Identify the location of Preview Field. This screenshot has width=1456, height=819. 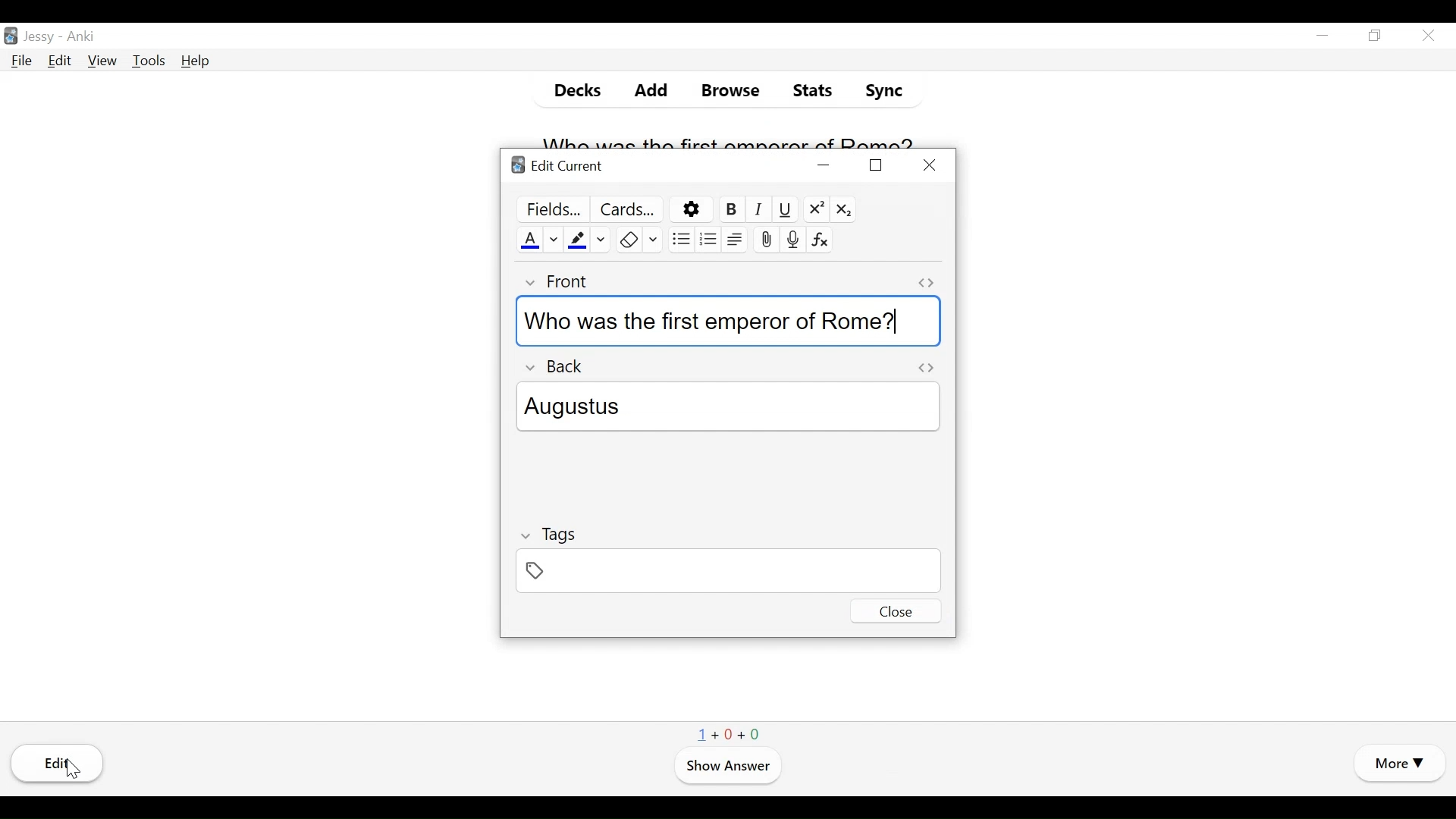
(549, 208).